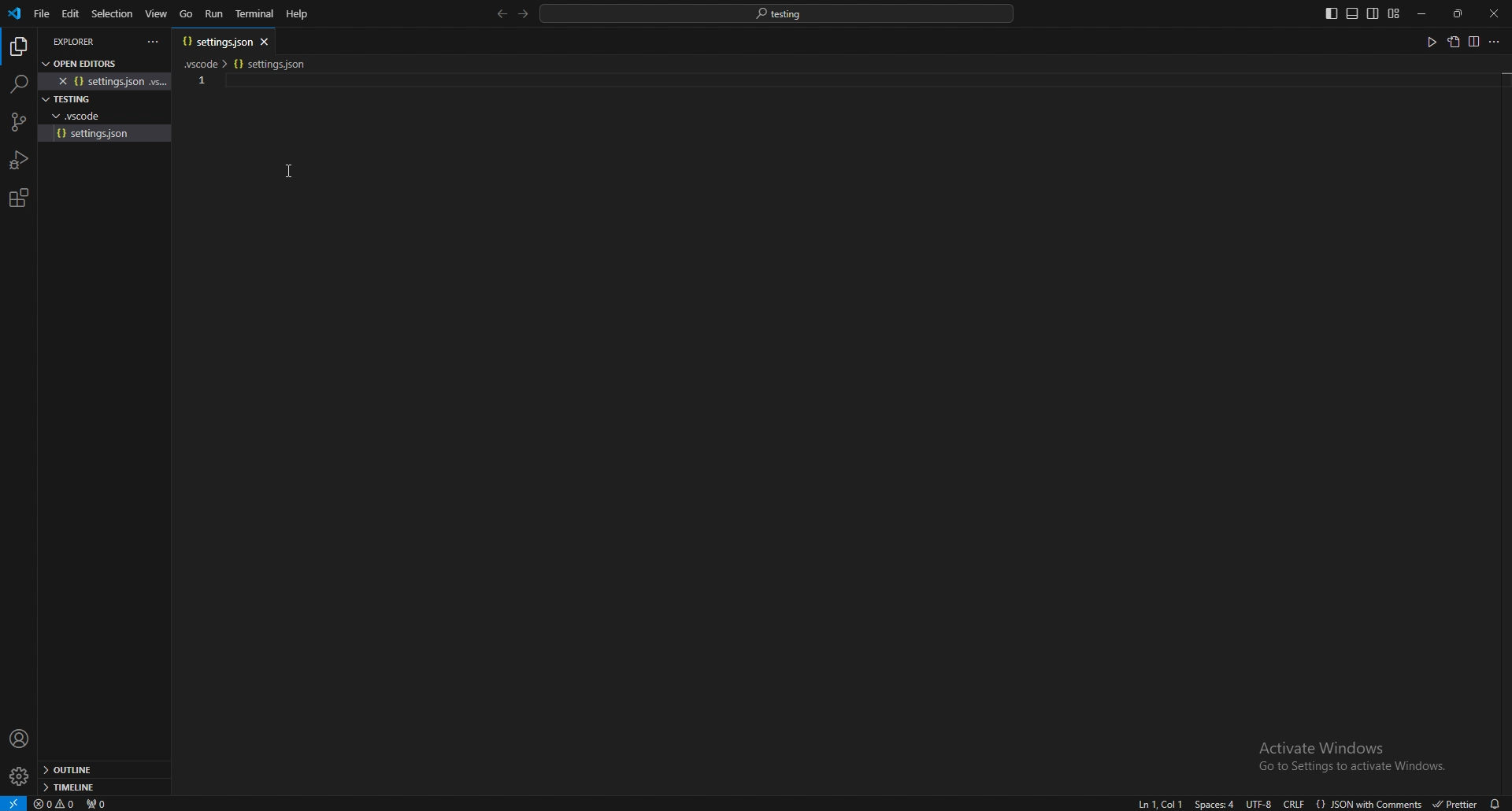  Describe the element at coordinates (1494, 13) in the screenshot. I see `close` at that location.